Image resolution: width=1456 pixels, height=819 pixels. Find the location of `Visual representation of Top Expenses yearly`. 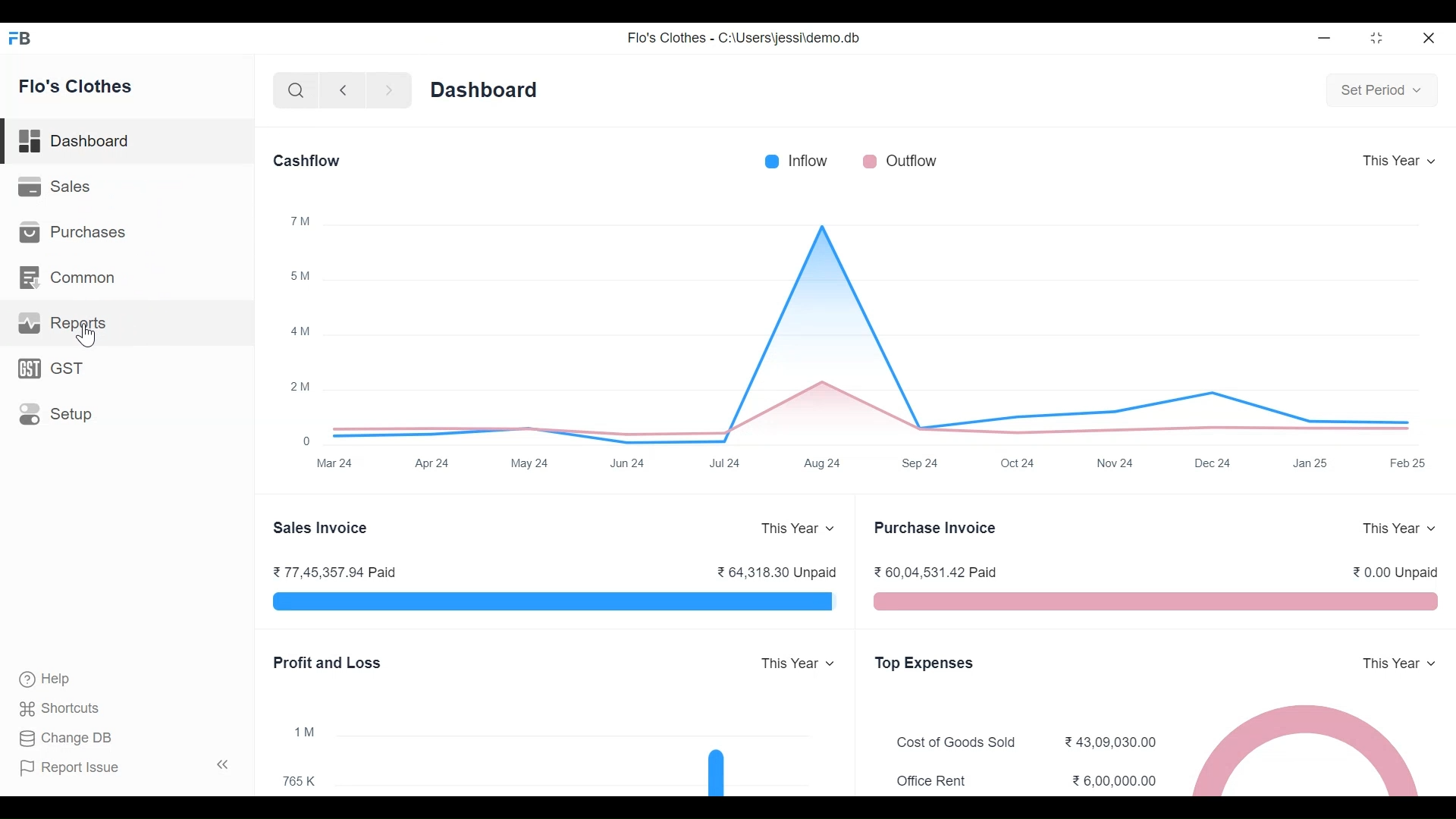

Visual representation of Top Expenses yearly is located at coordinates (1307, 748).